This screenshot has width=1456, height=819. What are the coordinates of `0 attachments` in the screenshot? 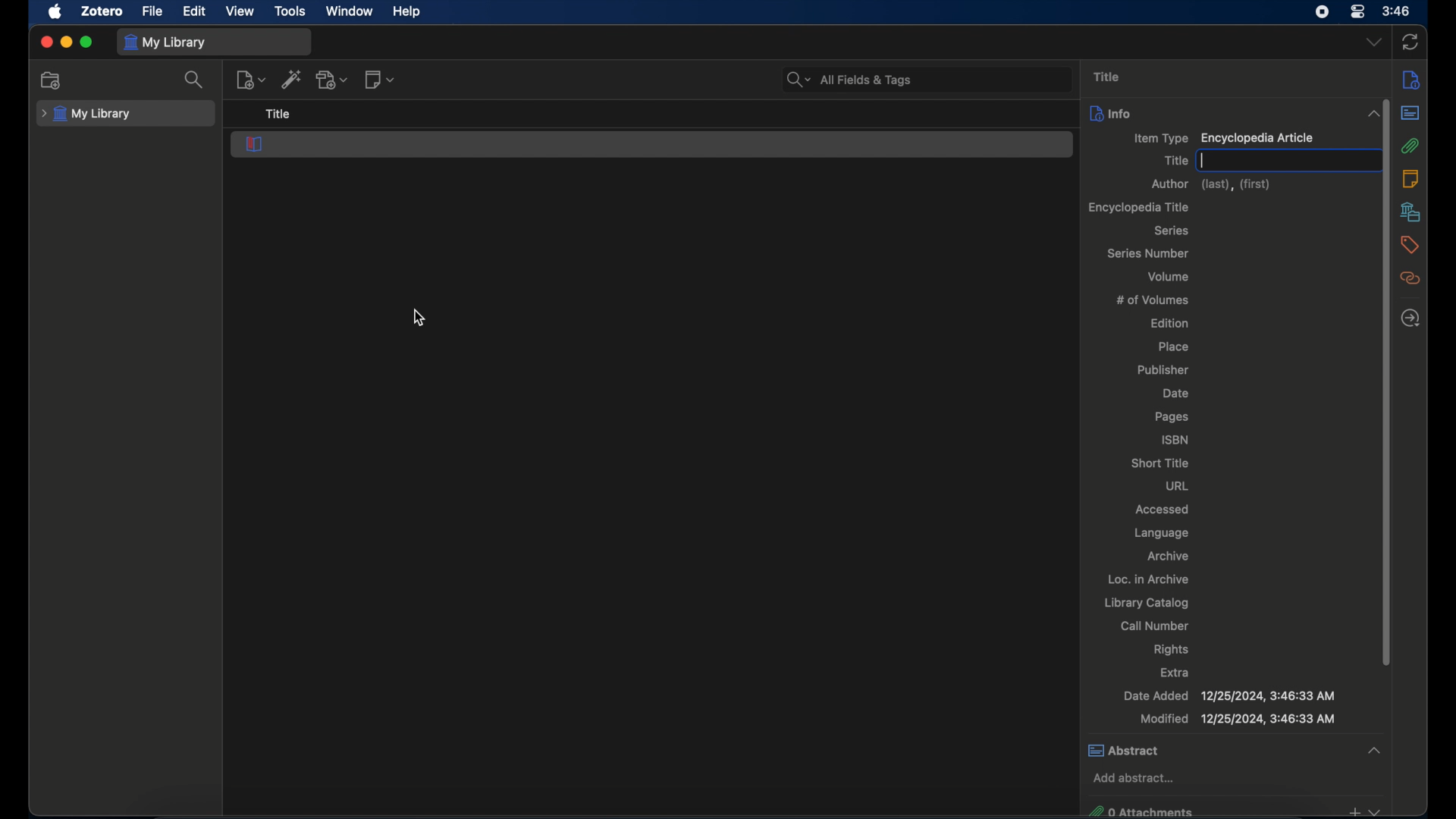 It's located at (1235, 809).